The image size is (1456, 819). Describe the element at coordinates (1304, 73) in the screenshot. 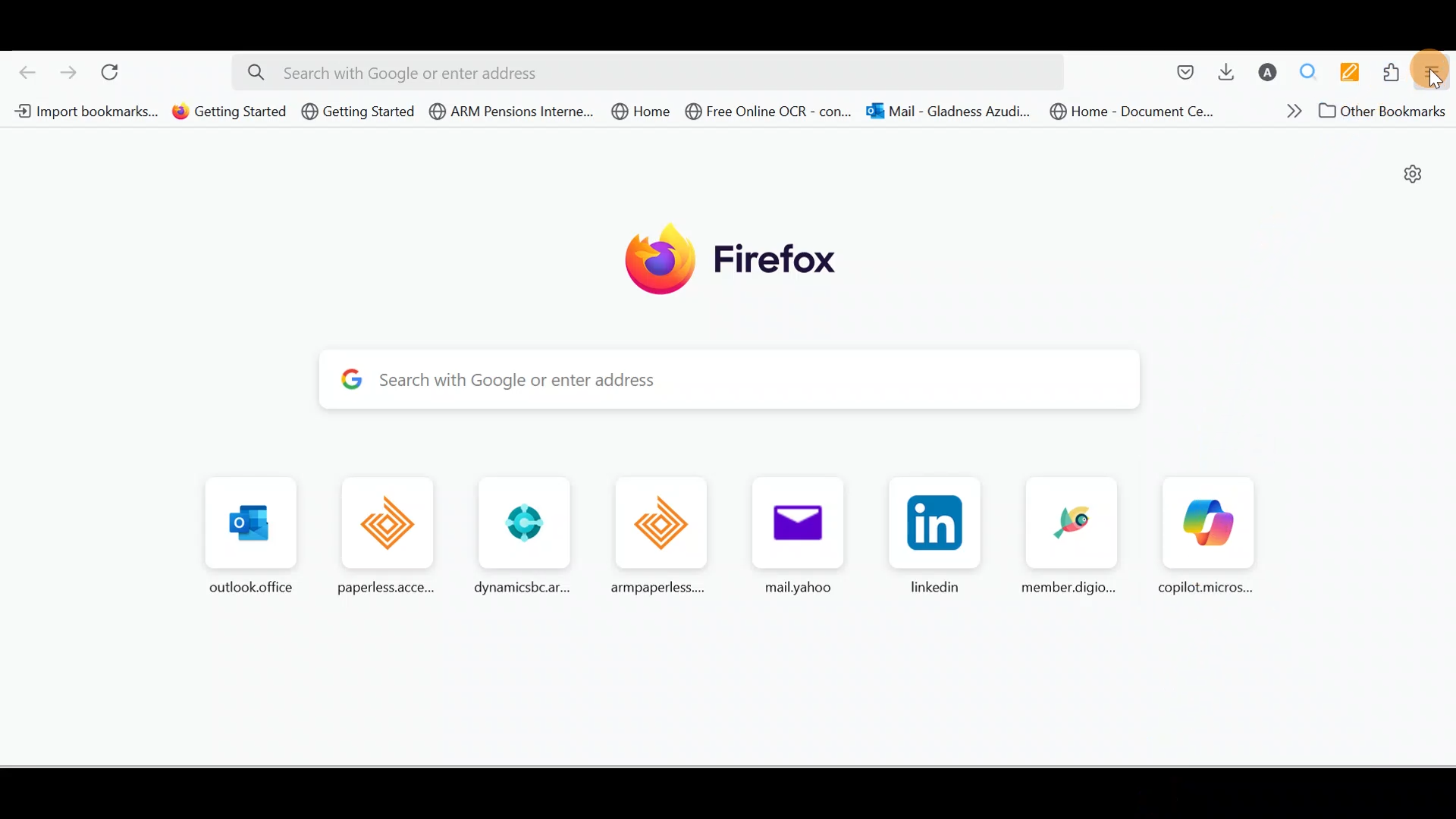

I see `Multiple search and higlight` at that location.